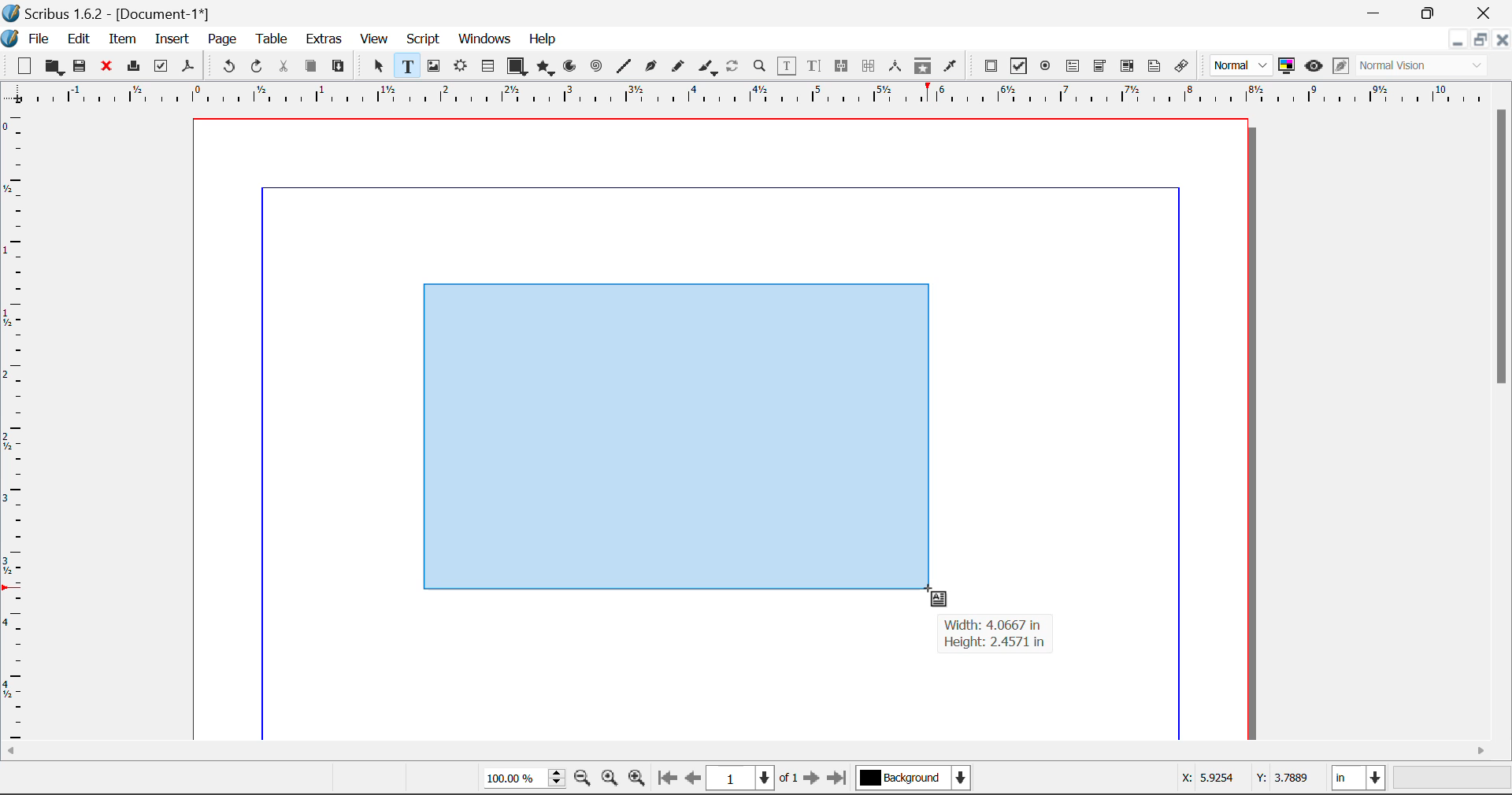 This screenshot has width=1512, height=795. Describe the element at coordinates (934, 593) in the screenshot. I see `MOUSE_UP Cursor Position` at that location.